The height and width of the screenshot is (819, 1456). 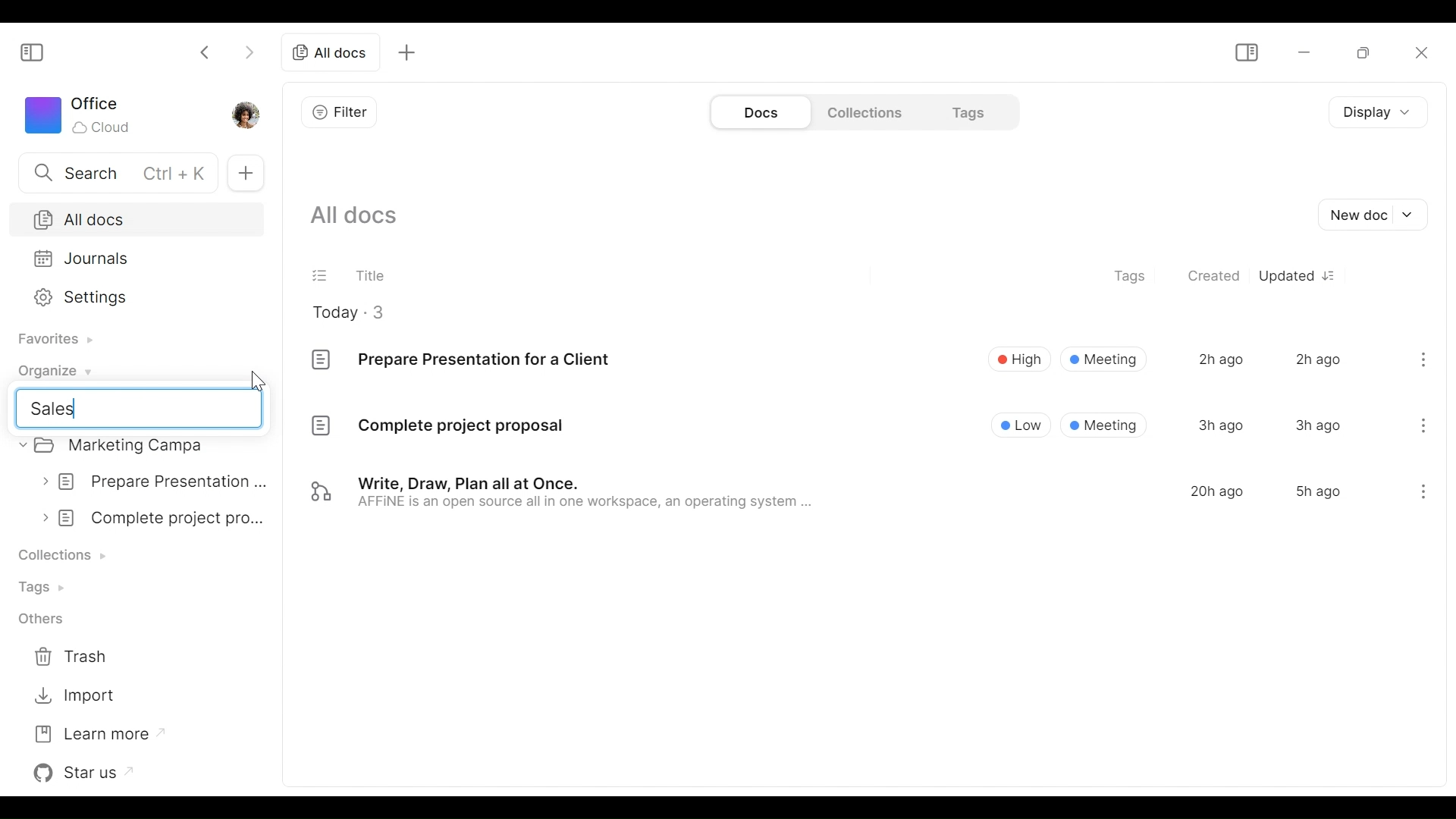 What do you see at coordinates (33, 53) in the screenshot?
I see `Show/Hide Sidebar` at bounding box center [33, 53].